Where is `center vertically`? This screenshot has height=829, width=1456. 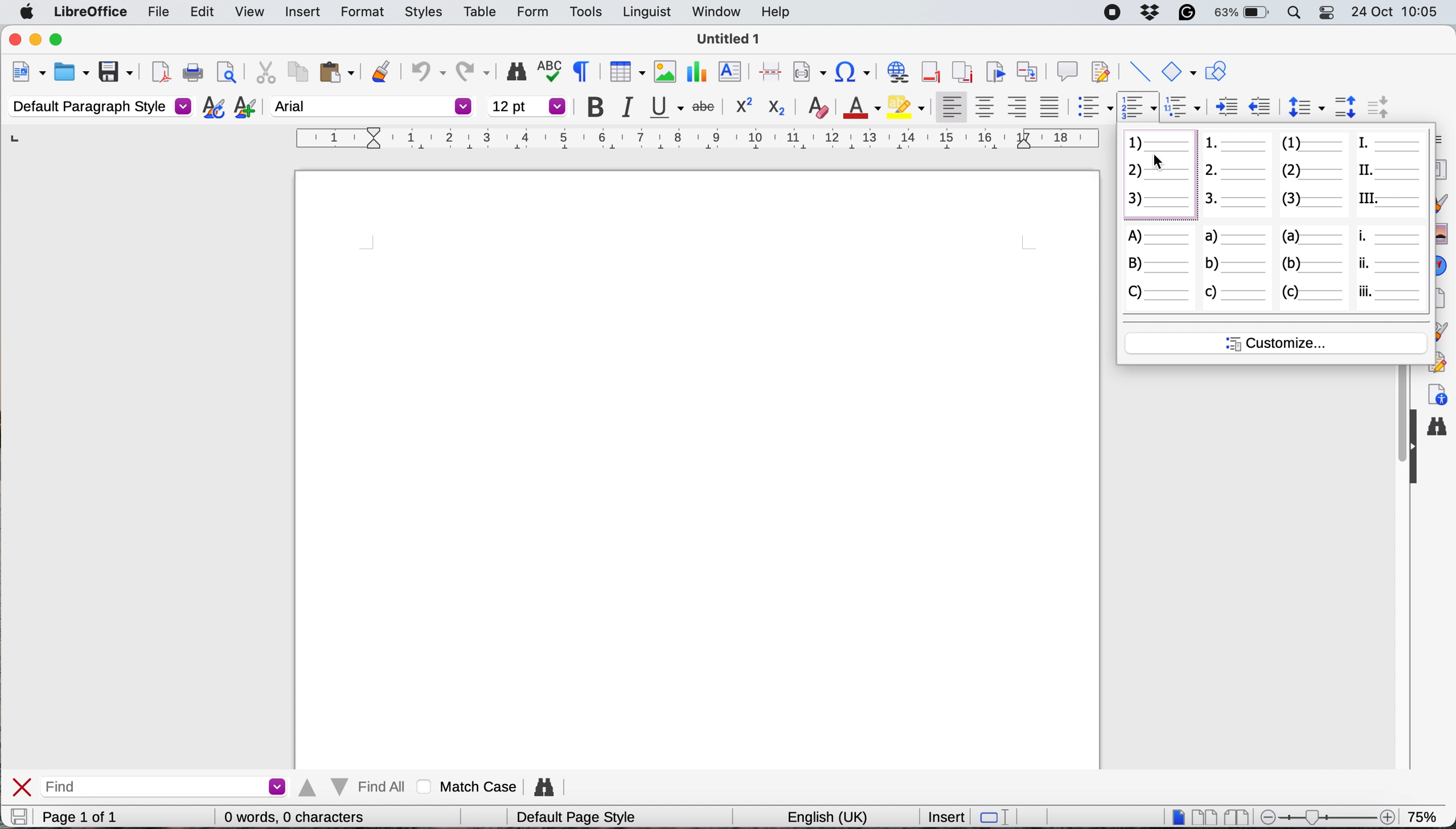
center vertically is located at coordinates (985, 106).